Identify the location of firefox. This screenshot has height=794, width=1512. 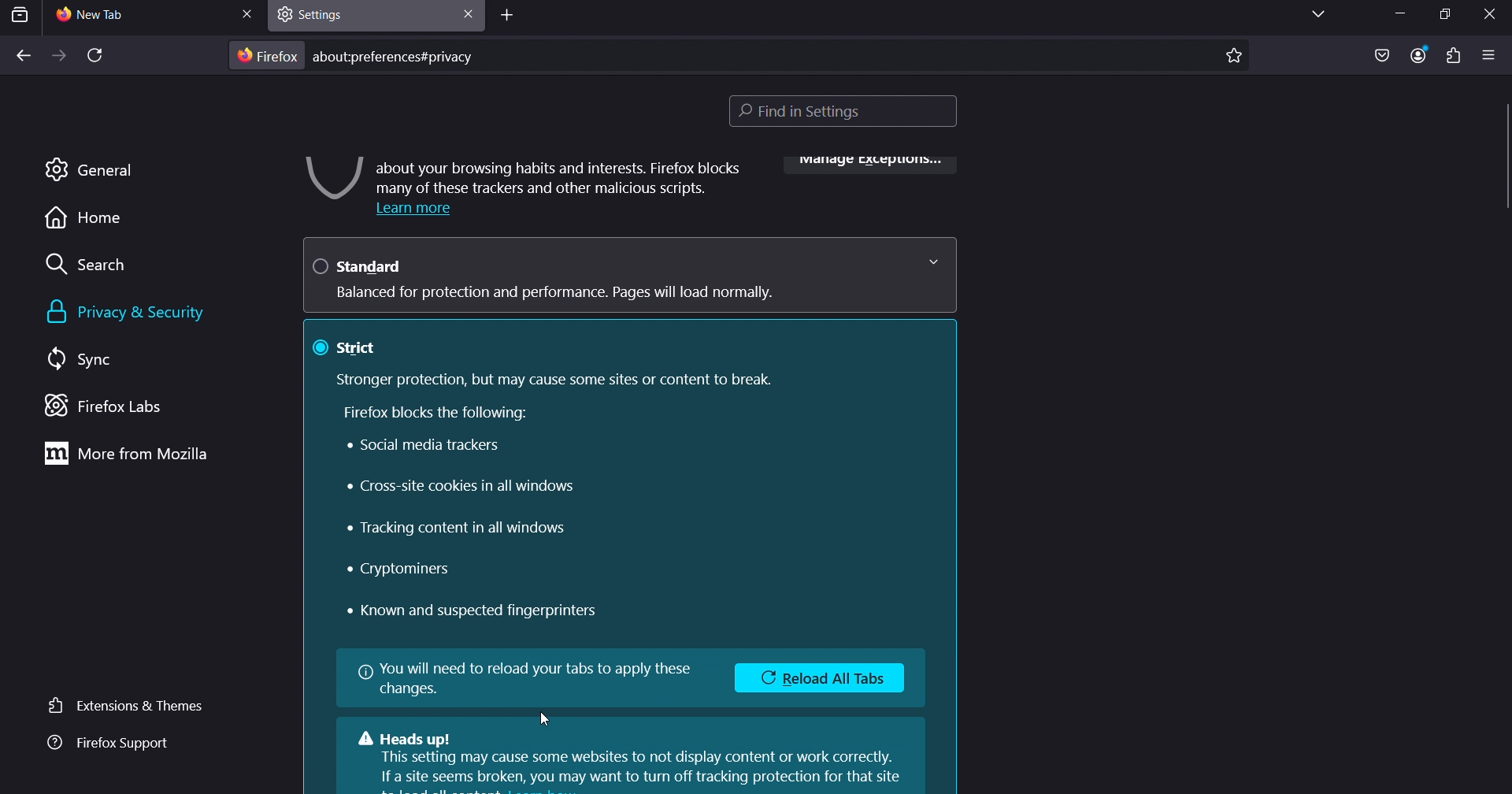
(268, 56).